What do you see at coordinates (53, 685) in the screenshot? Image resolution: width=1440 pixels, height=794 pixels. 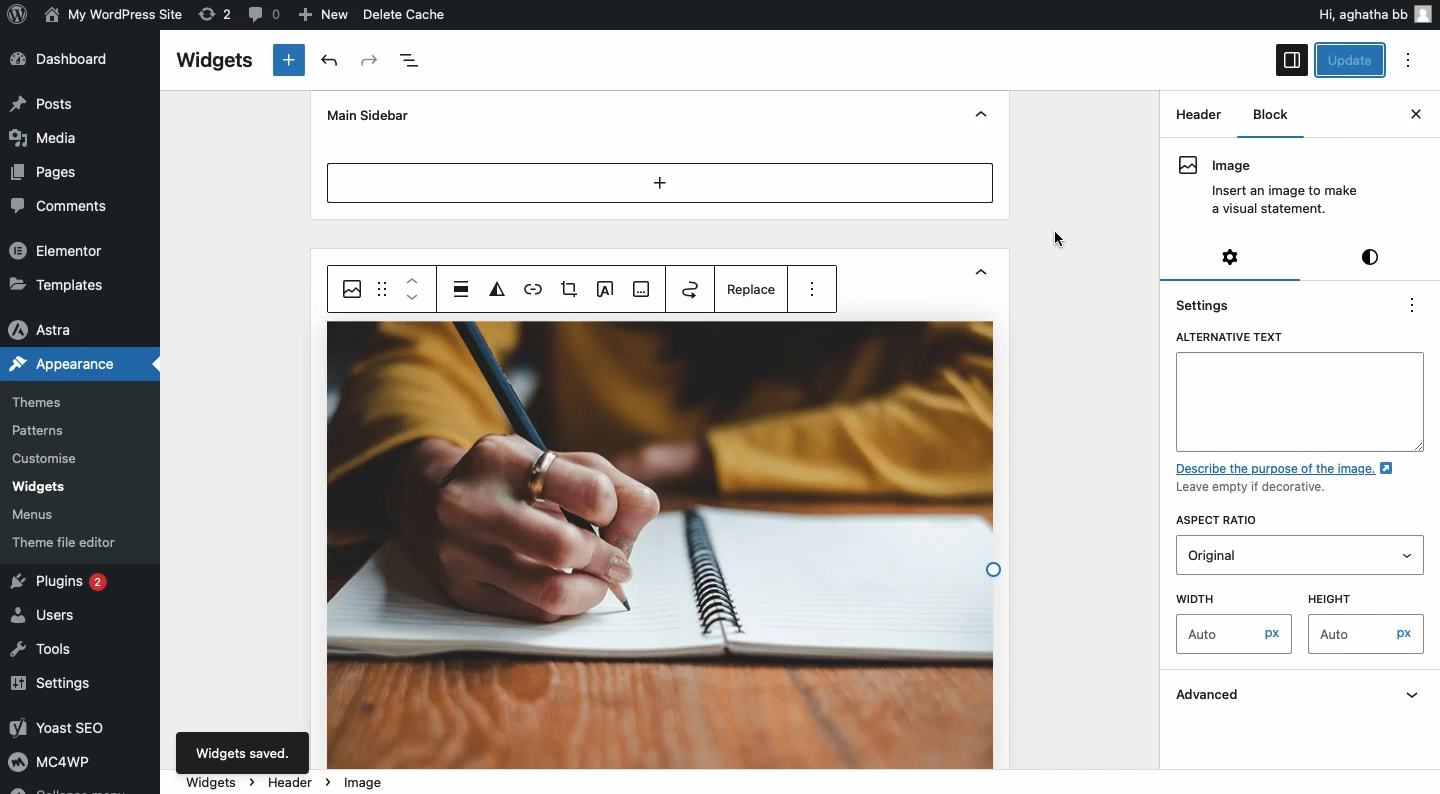 I see `Settings` at bounding box center [53, 685].